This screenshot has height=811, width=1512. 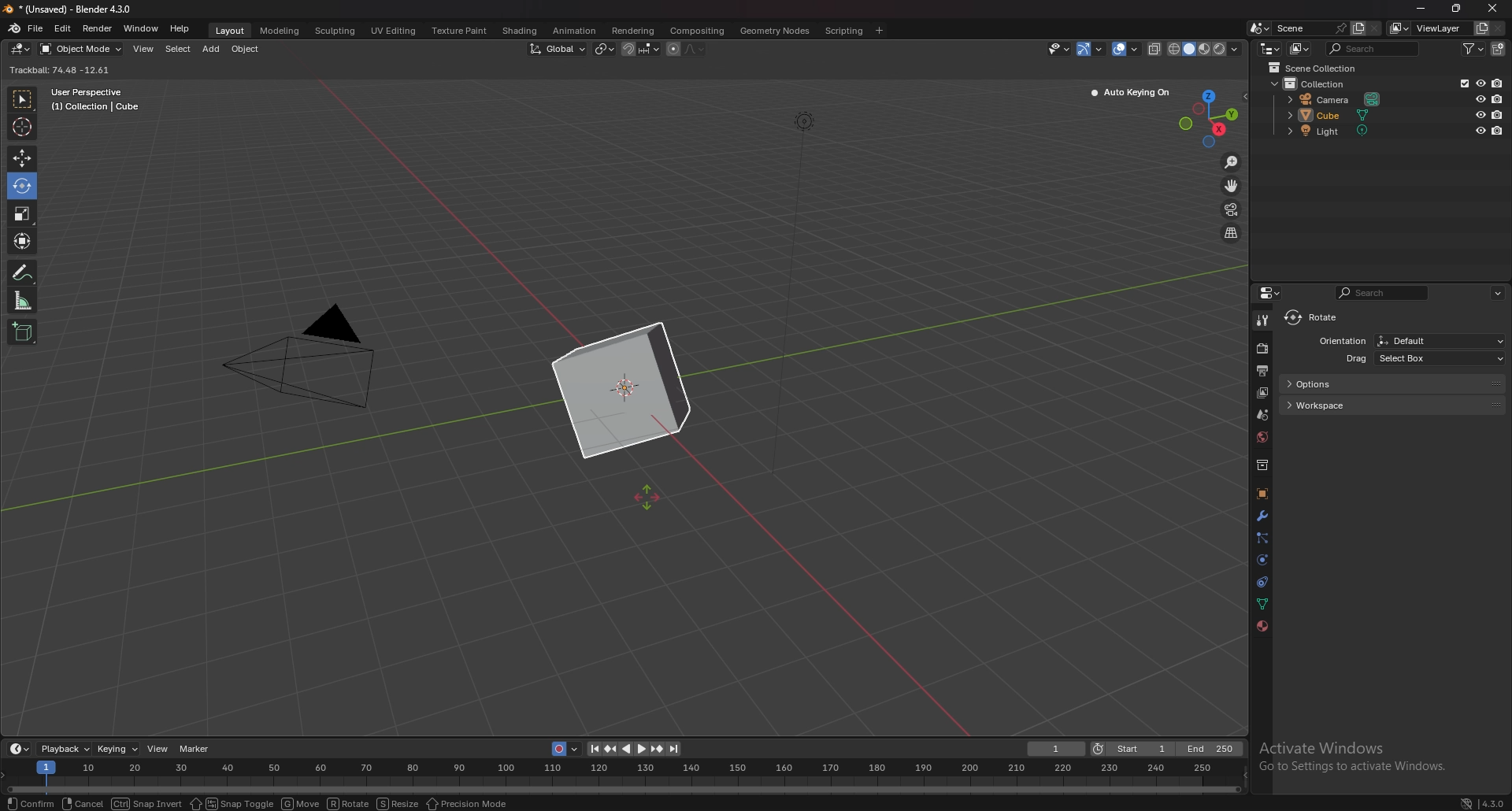 I want to click on shading, so click(x=519, y=30).